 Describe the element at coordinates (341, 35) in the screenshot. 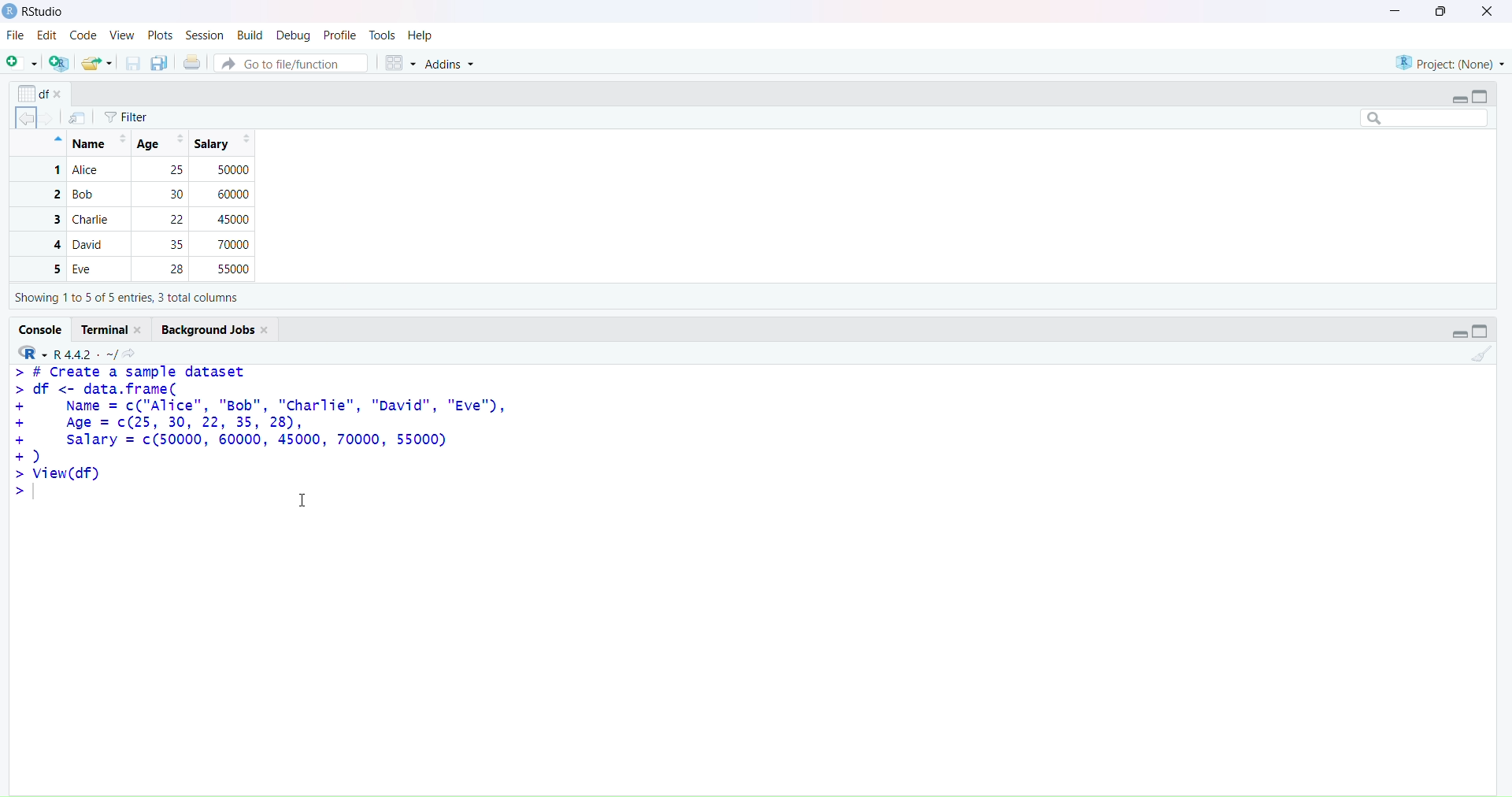

I see `profile` at that location.